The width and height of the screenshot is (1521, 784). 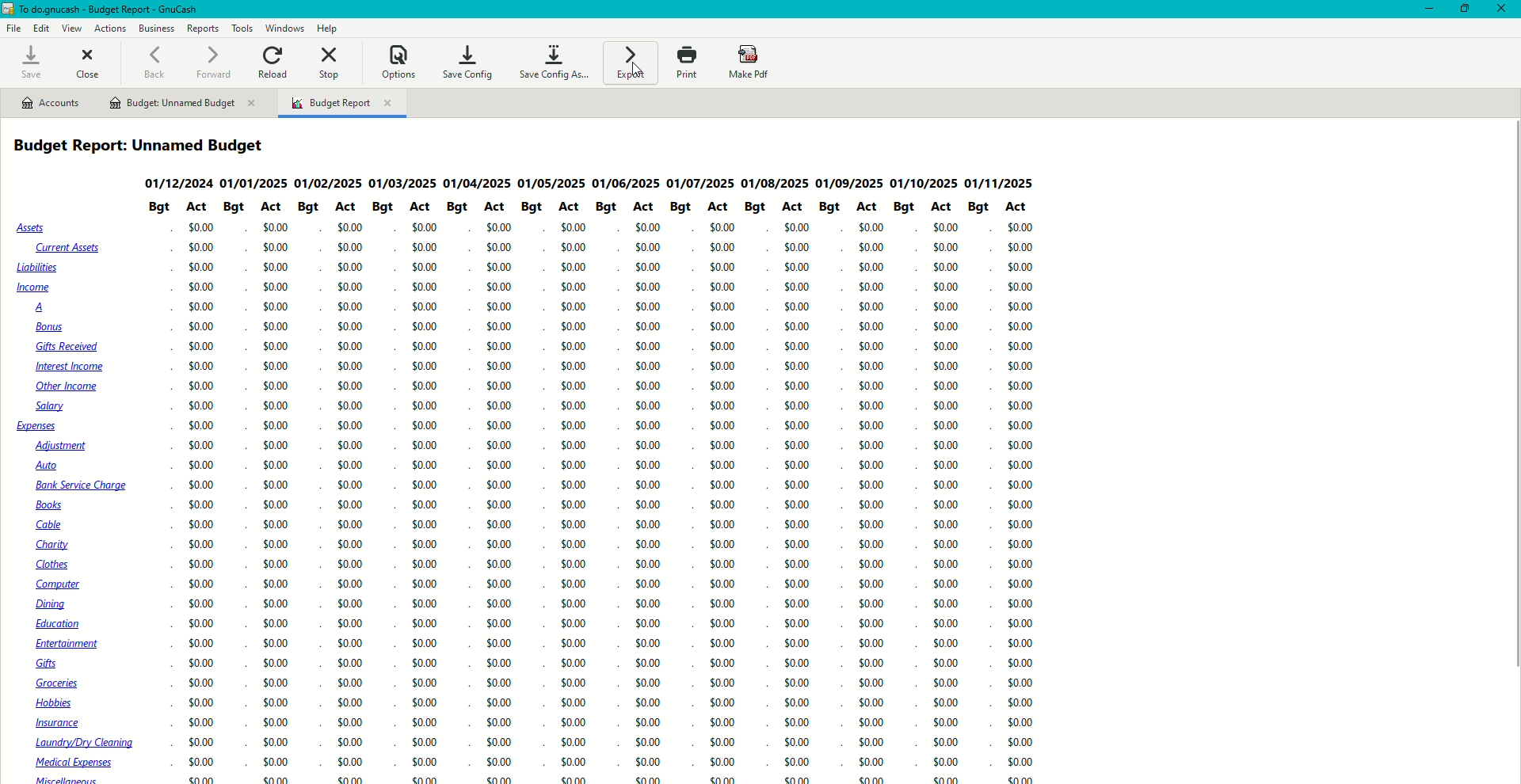 I want to click on Accounts and Sub-accounts, so click(x=84, y=501).